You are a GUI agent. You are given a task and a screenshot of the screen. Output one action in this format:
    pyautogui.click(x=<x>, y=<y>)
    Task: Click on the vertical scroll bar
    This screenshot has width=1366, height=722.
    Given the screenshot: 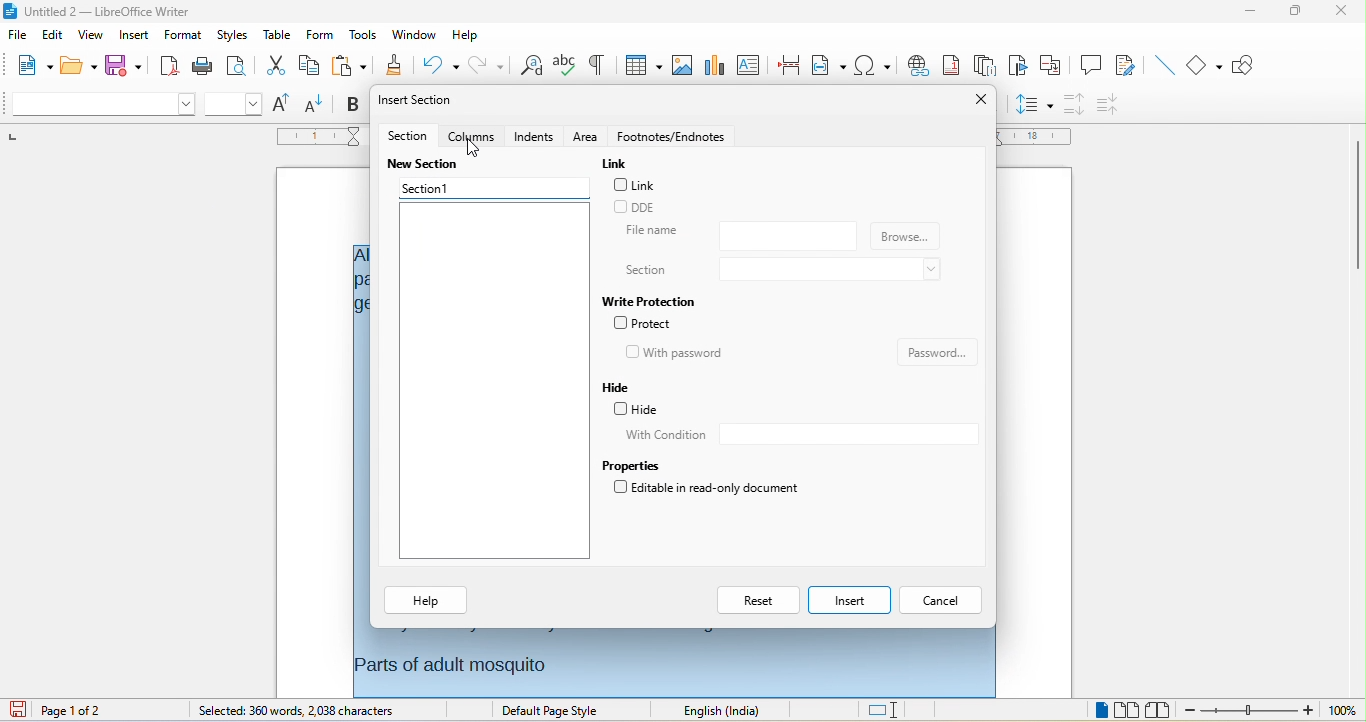 What is the action you would take?
    pyautogui.click(x=1357, y=205)
    